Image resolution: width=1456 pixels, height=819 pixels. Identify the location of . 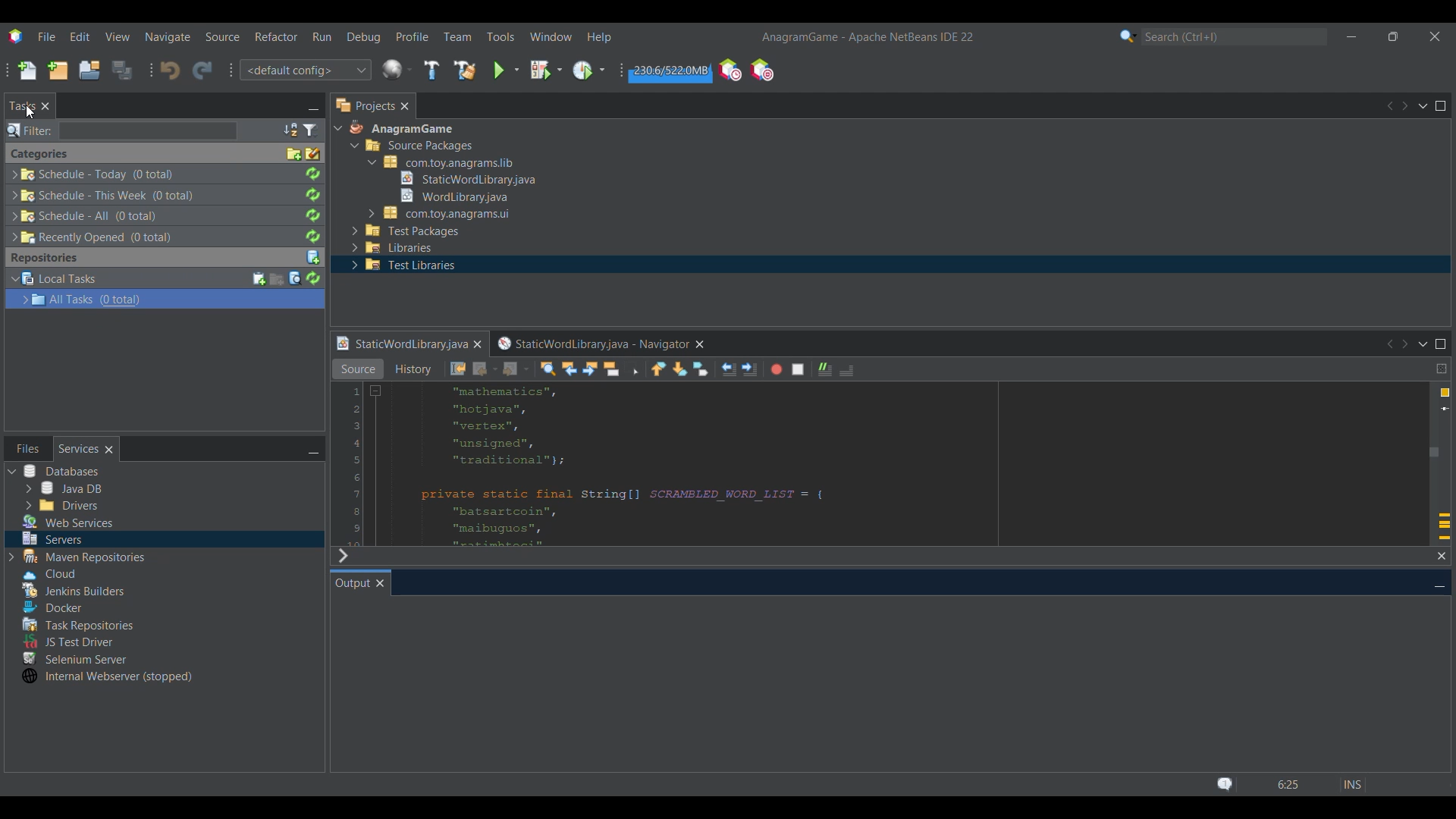
(87, 238).